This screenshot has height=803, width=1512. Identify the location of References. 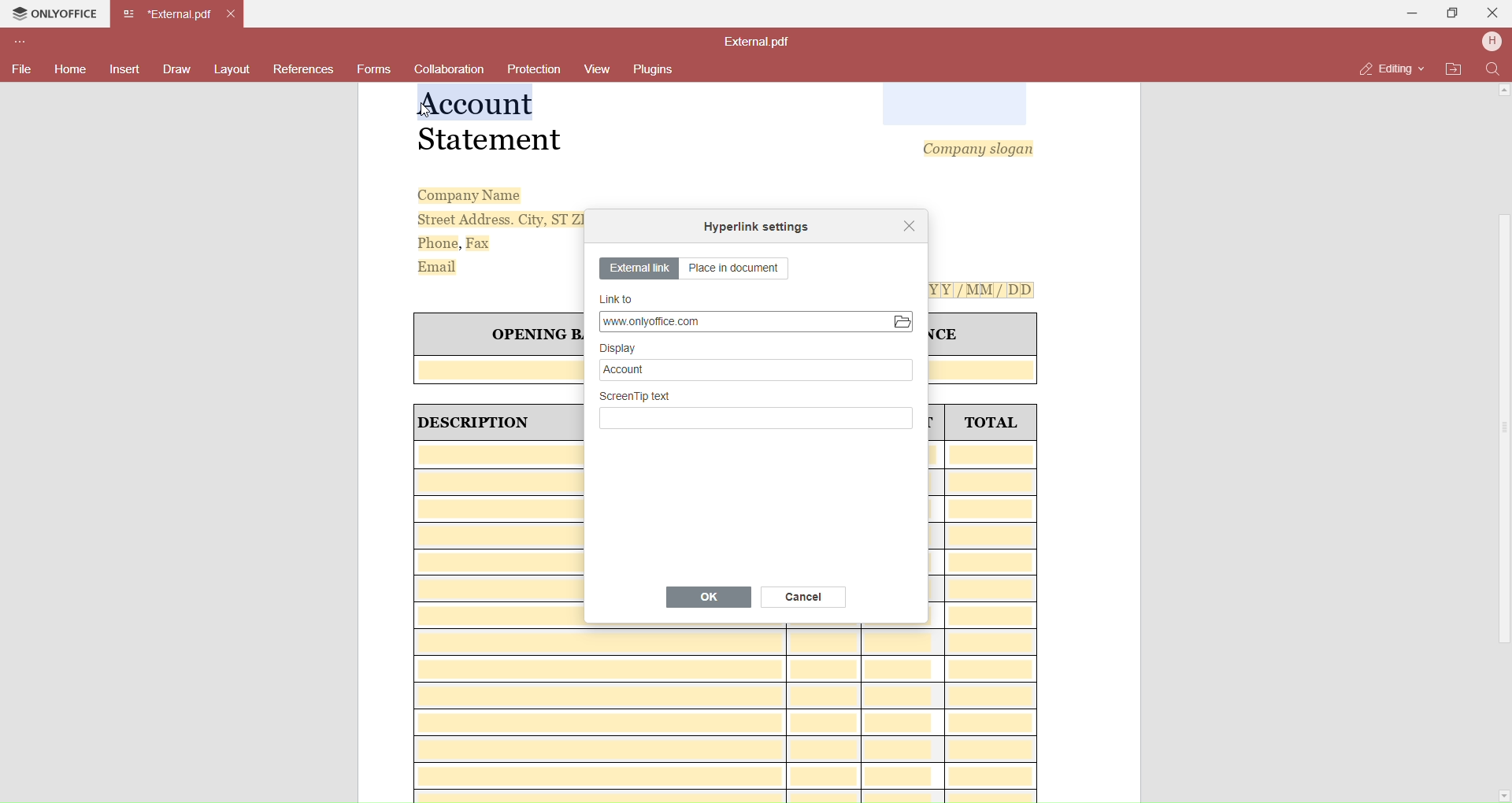
(303, 72).